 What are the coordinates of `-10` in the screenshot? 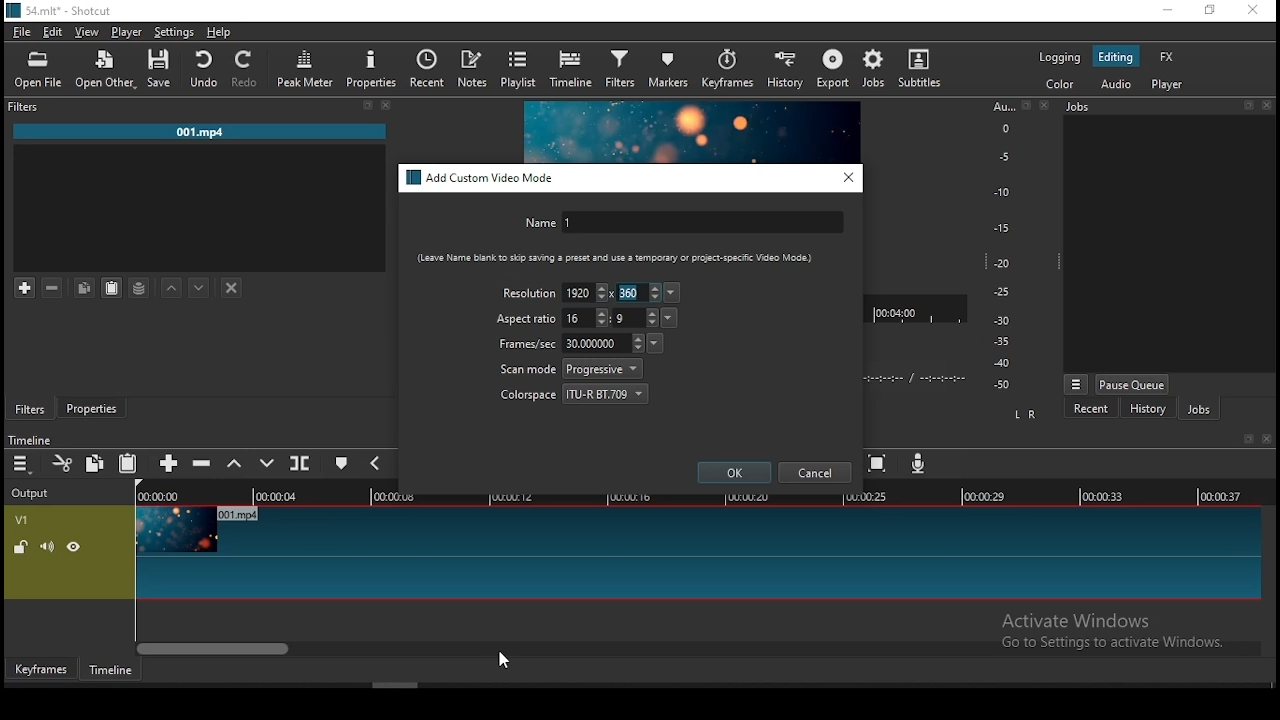 It's located at (1000, 192).